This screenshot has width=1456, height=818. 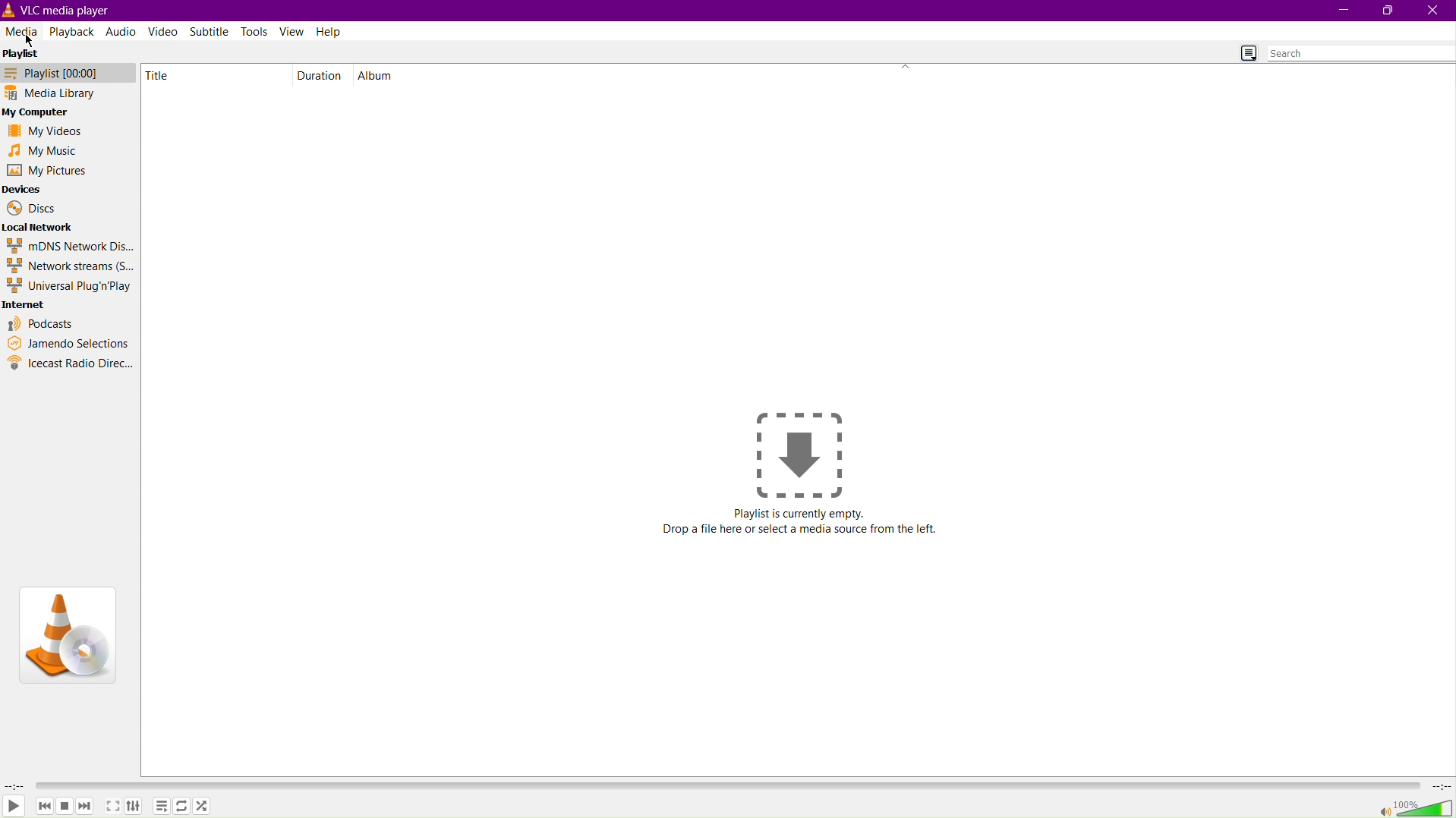 I want to click on Maximize, so click(x=1387, y=11).